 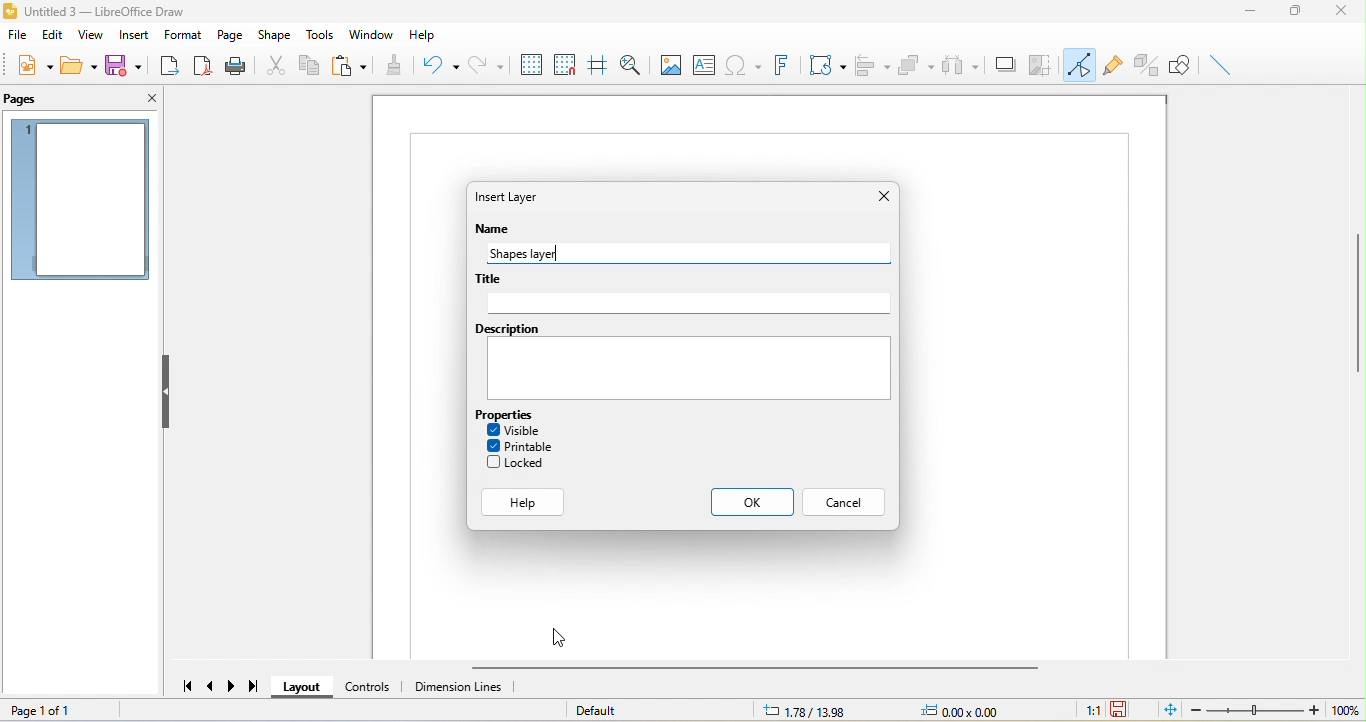 What do you see at coordinates (596, 65) in the screenshot?
I see `helpline while moving` at bounding box center [596, 65].